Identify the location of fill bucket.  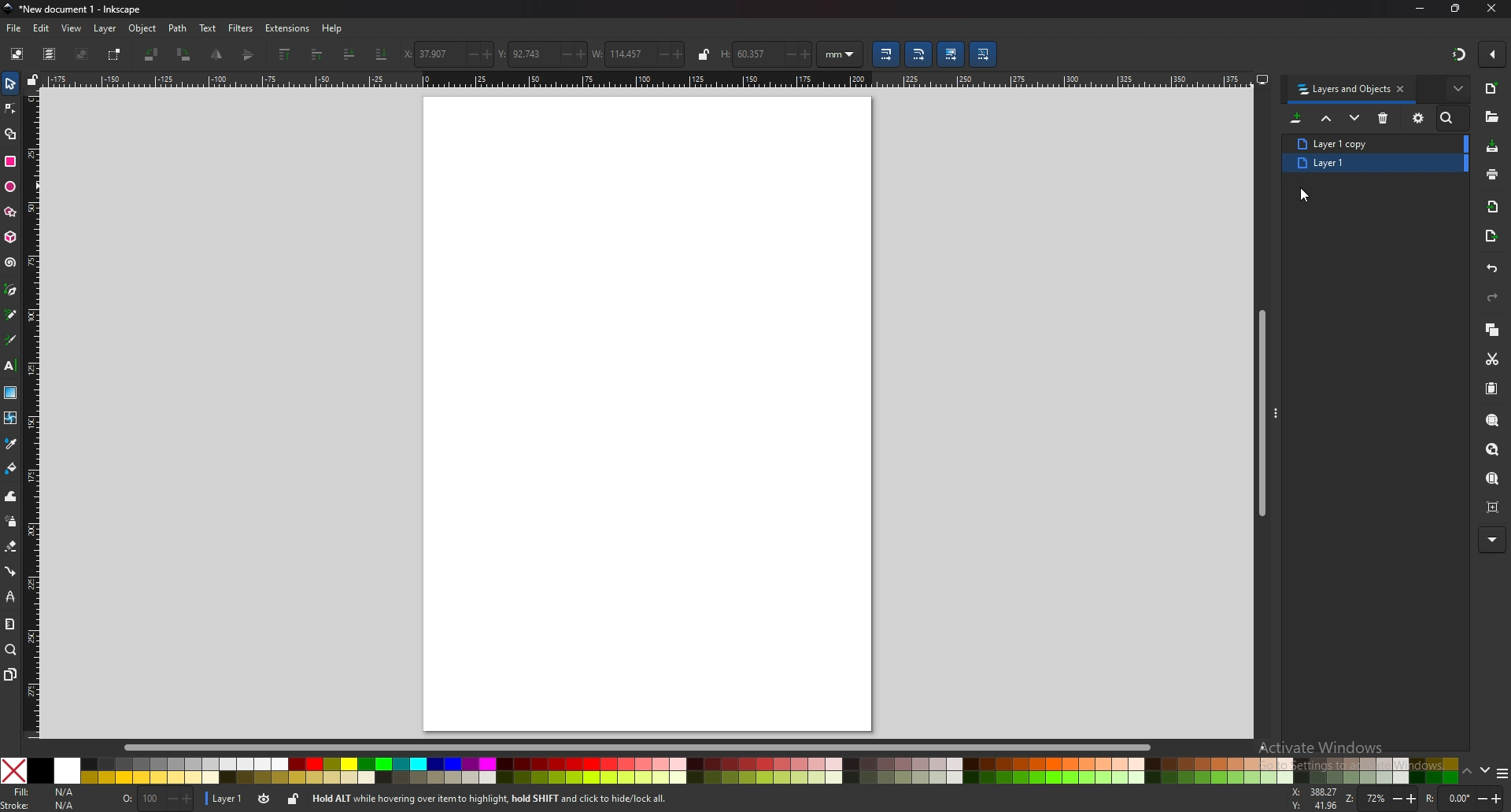
(12, 467).